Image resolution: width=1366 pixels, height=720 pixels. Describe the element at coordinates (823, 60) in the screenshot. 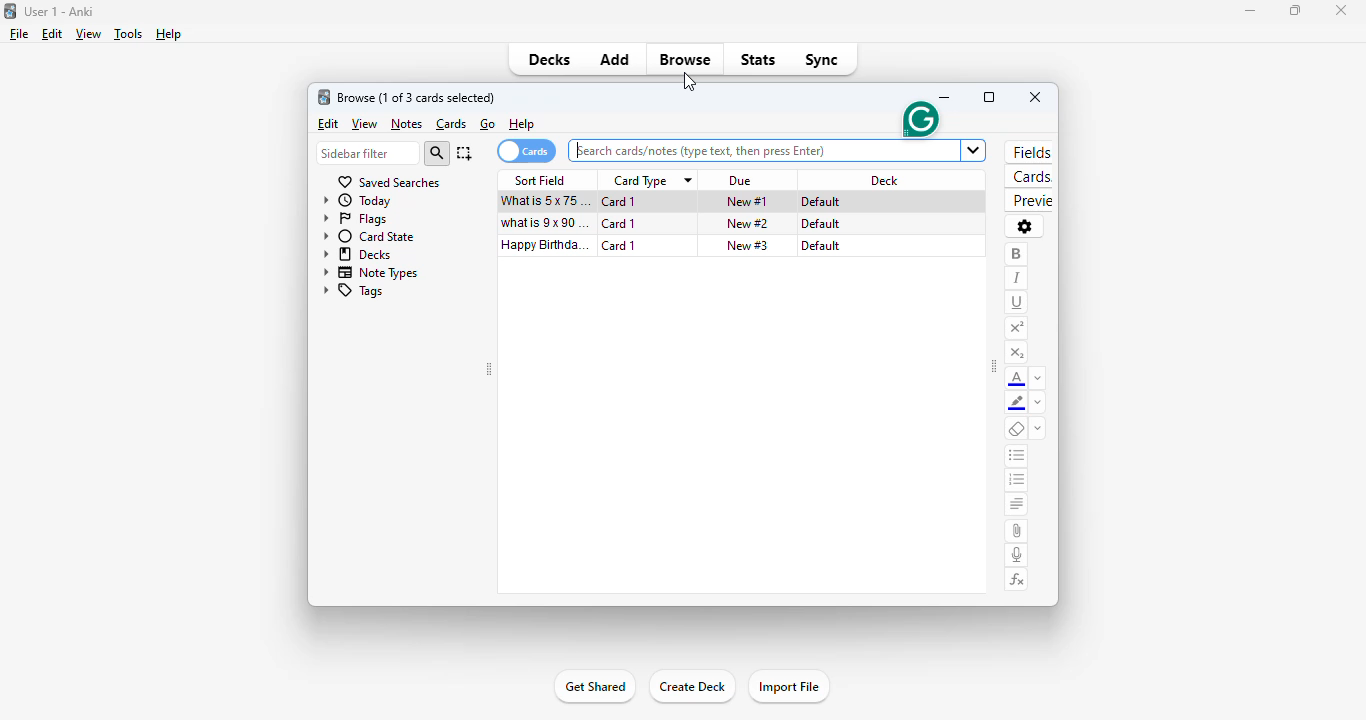

I see `sync` at that location.